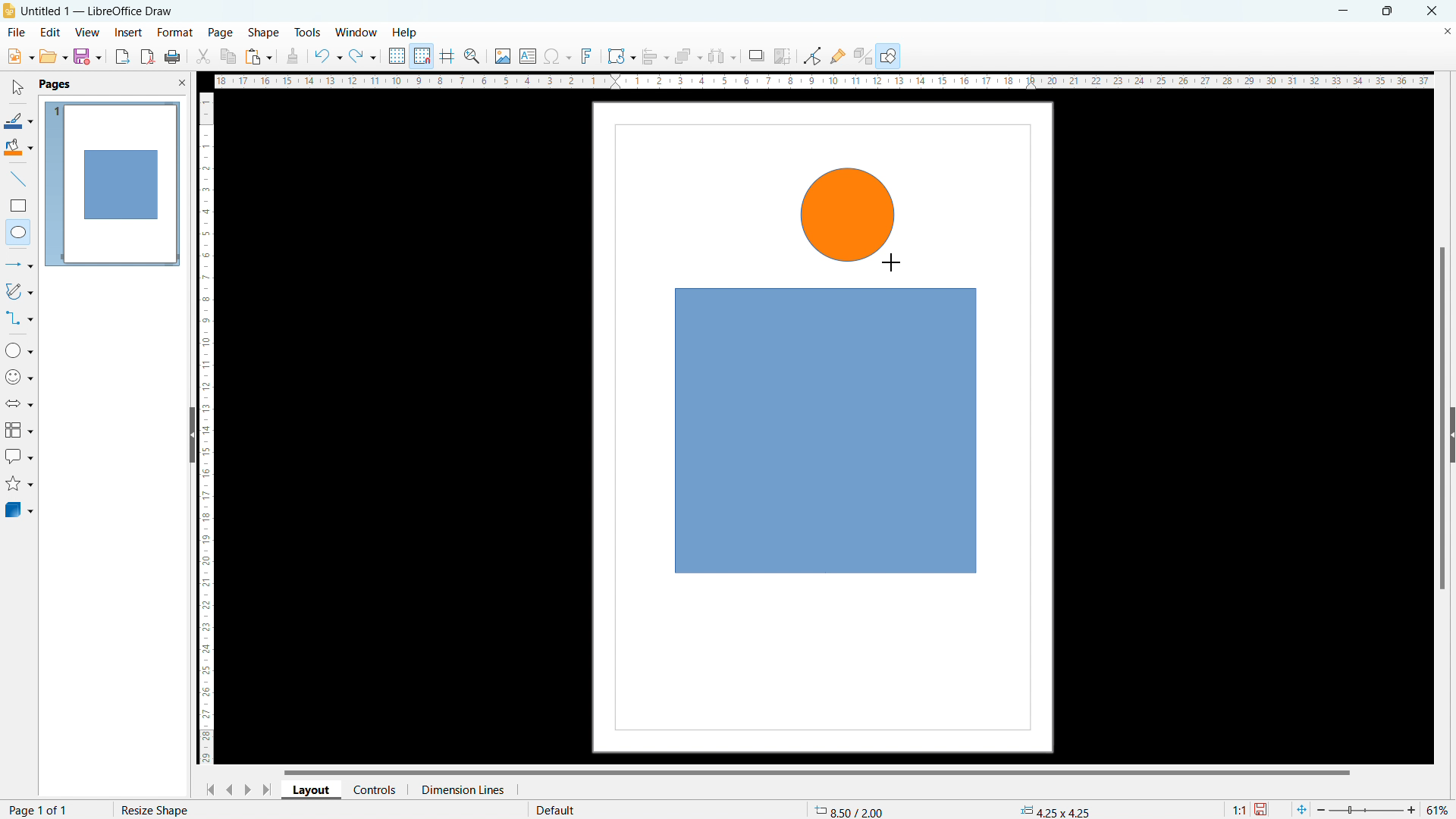 The height and width of the screenshot is (819, 1456). Describe the element at coordinates (20, 318) in the screenshot. I see `connectors` at that location.